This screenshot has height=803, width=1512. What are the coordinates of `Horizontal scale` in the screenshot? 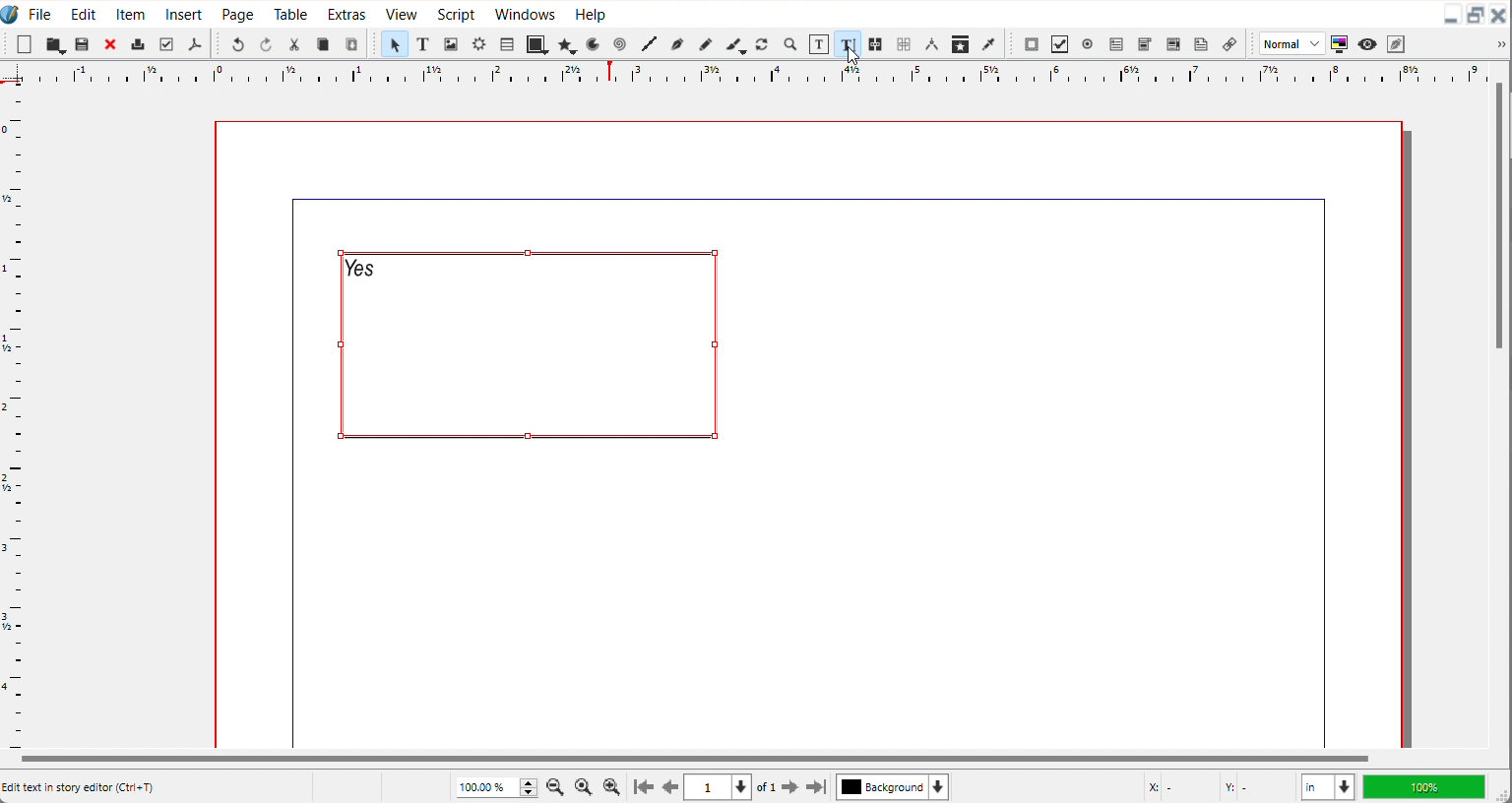 It's located at (756, 73).